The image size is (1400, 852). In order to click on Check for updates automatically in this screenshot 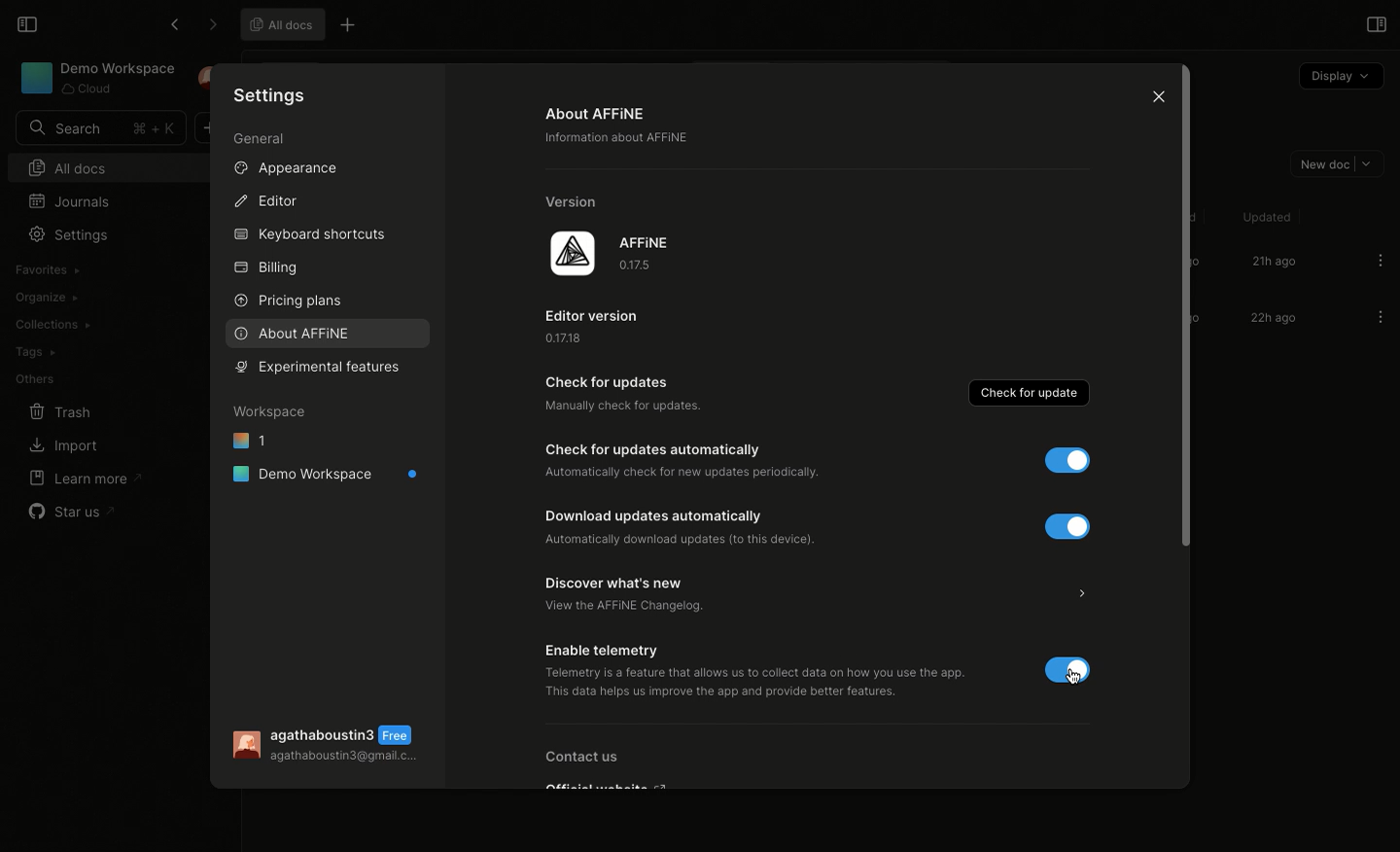, I will do `click(783, 461)`.